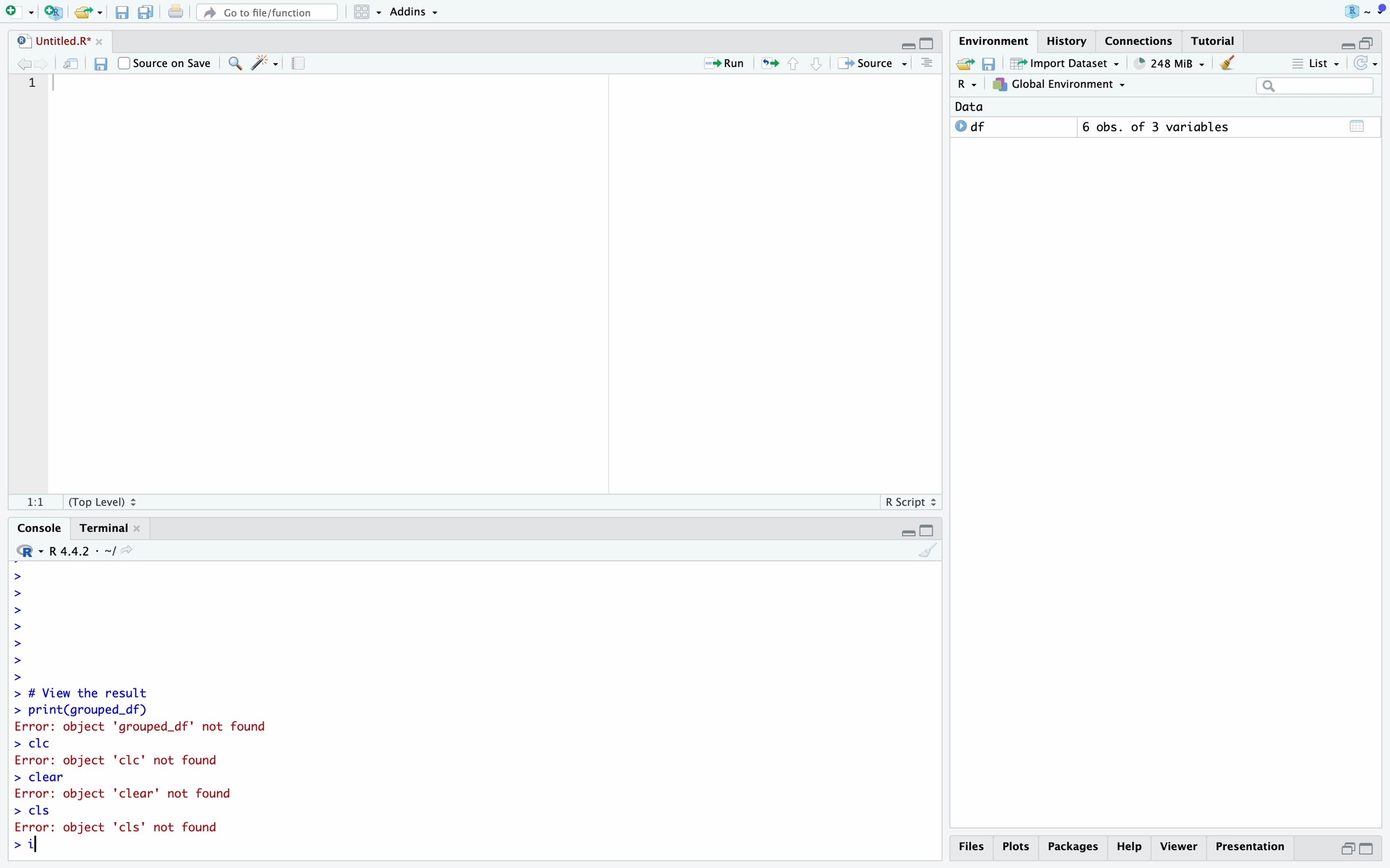  I want to click on Go to next section, so click(816, 63).